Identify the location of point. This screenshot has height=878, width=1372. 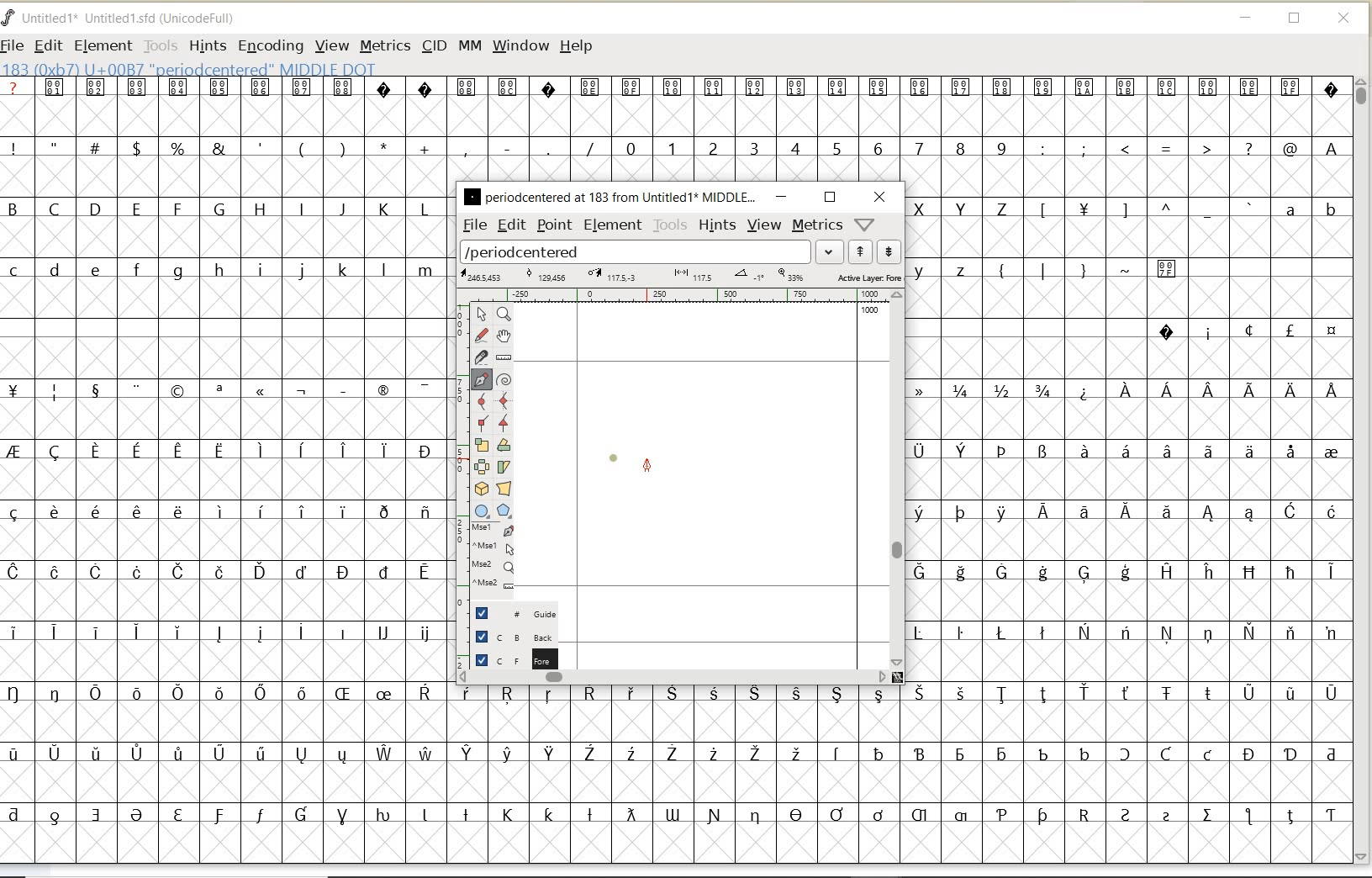
(554, 226).